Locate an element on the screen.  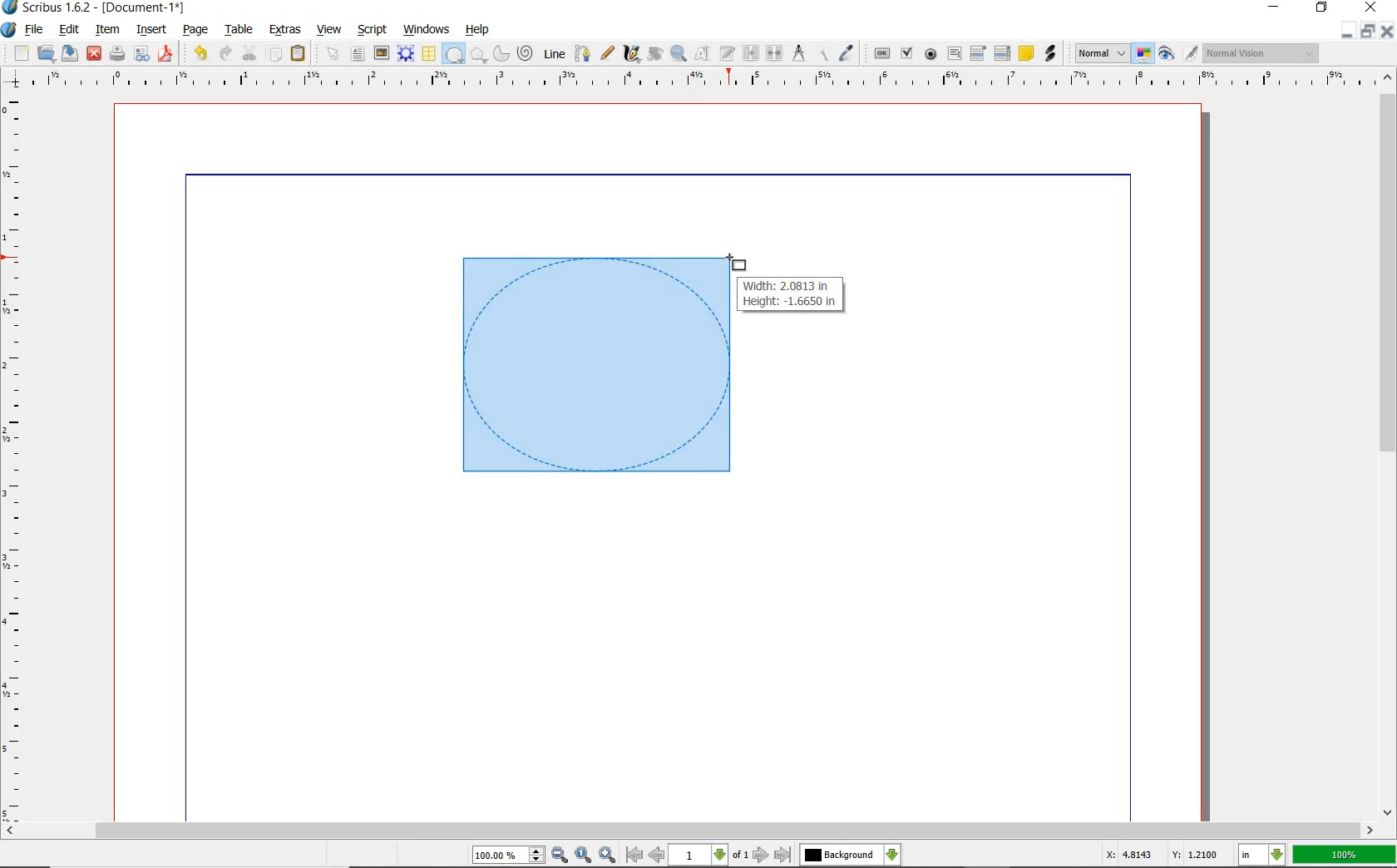
RENDER FRAME is located at coordinates (404, 53).